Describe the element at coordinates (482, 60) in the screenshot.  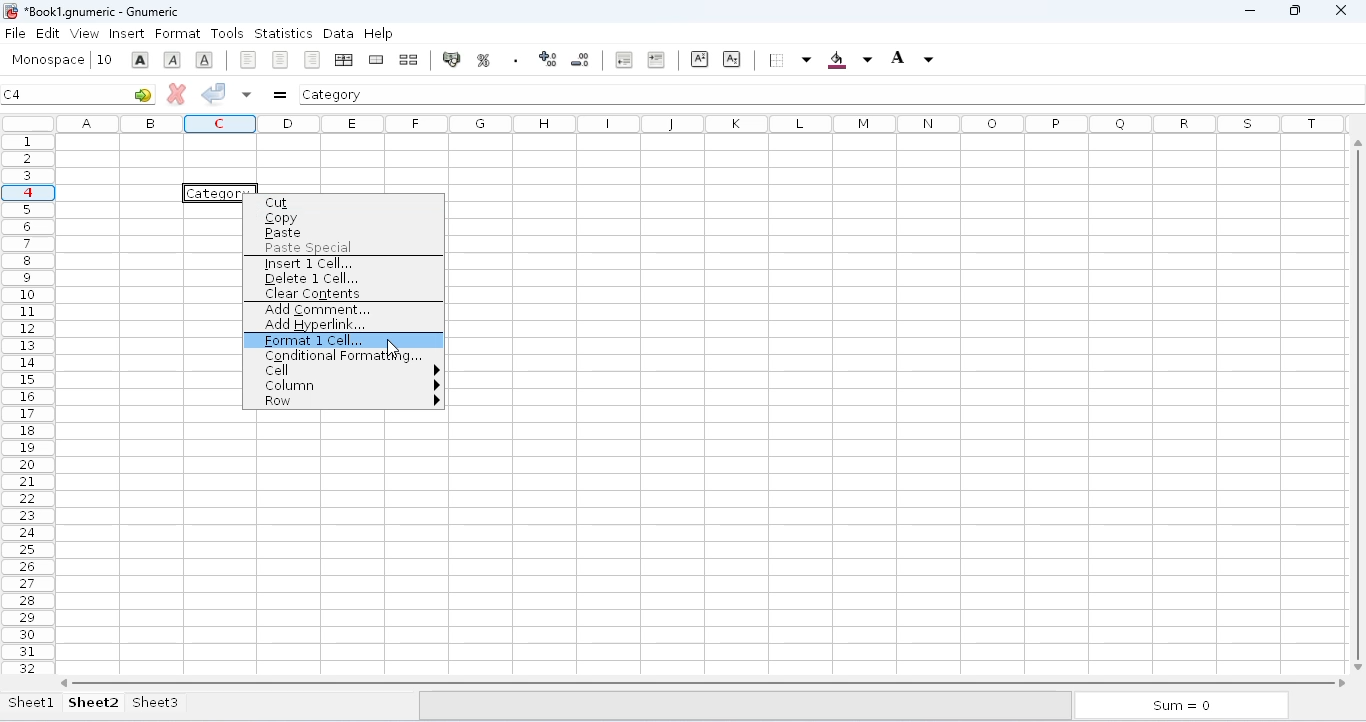
I see `format the selection as percentage` at that location.